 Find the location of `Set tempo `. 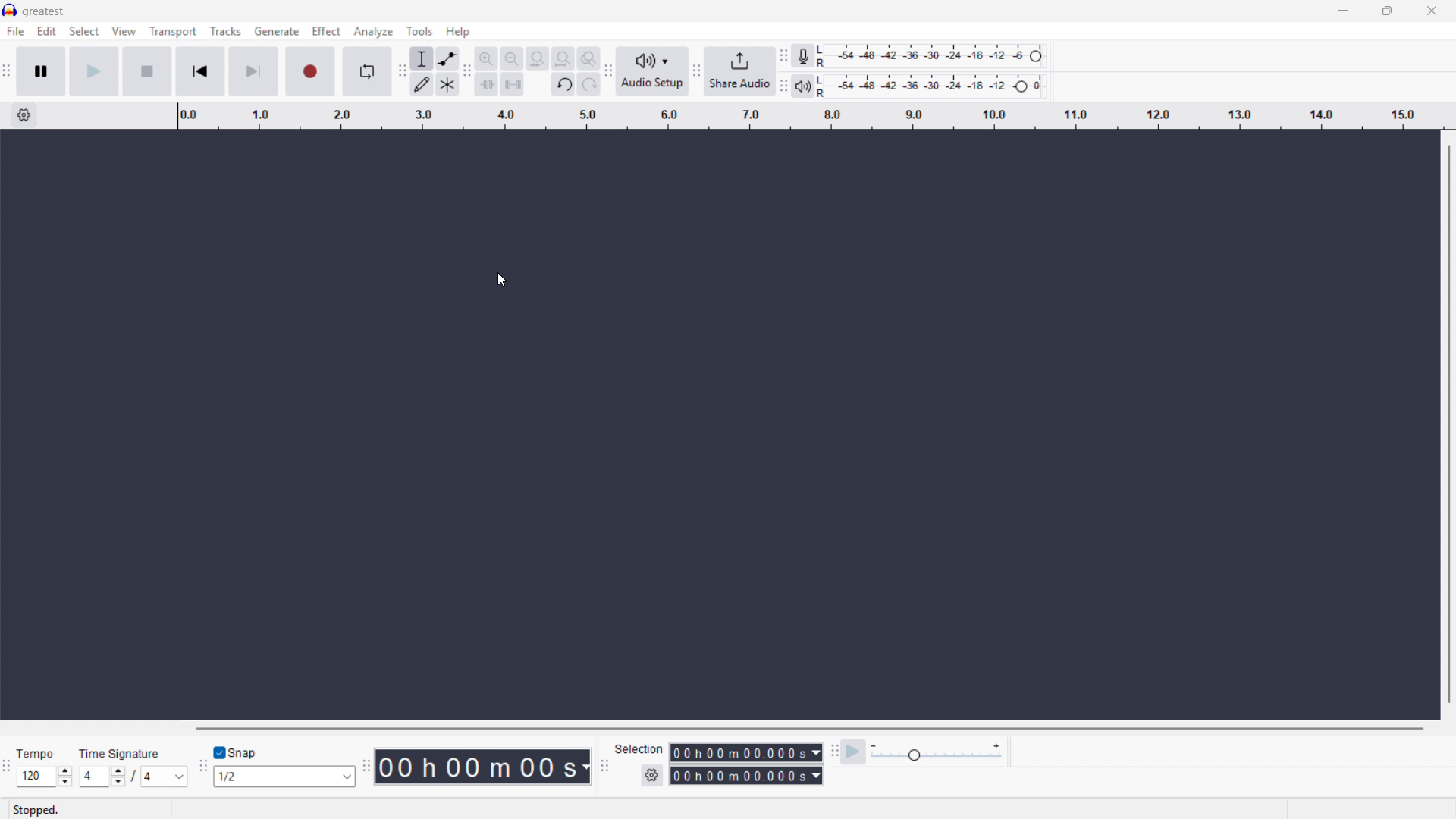

Set tempo  is located at coordinates (45, 777).